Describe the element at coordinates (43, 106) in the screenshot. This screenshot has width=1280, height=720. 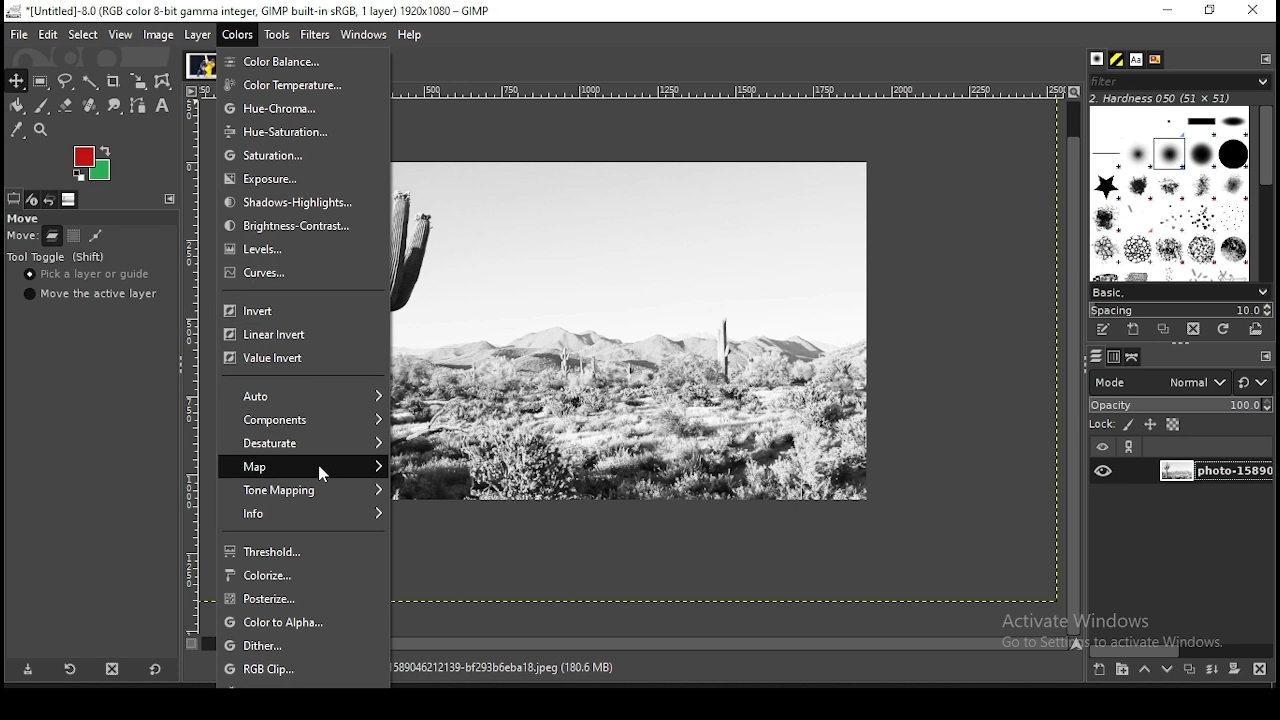
I see `paint brush tool` at that location.